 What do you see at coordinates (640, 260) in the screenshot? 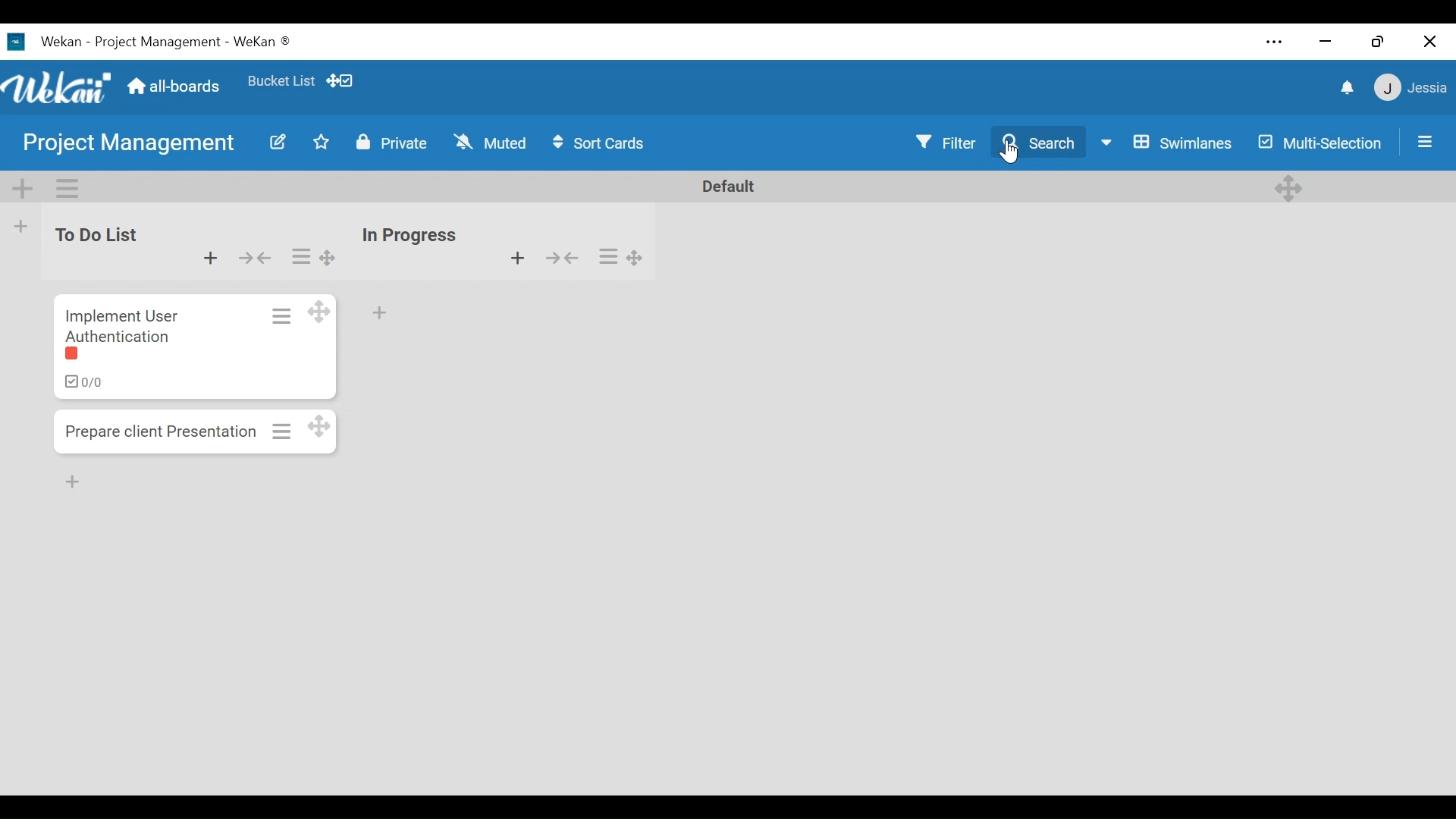
I see `Desktop drag handles` at bounding box center [640, 260].